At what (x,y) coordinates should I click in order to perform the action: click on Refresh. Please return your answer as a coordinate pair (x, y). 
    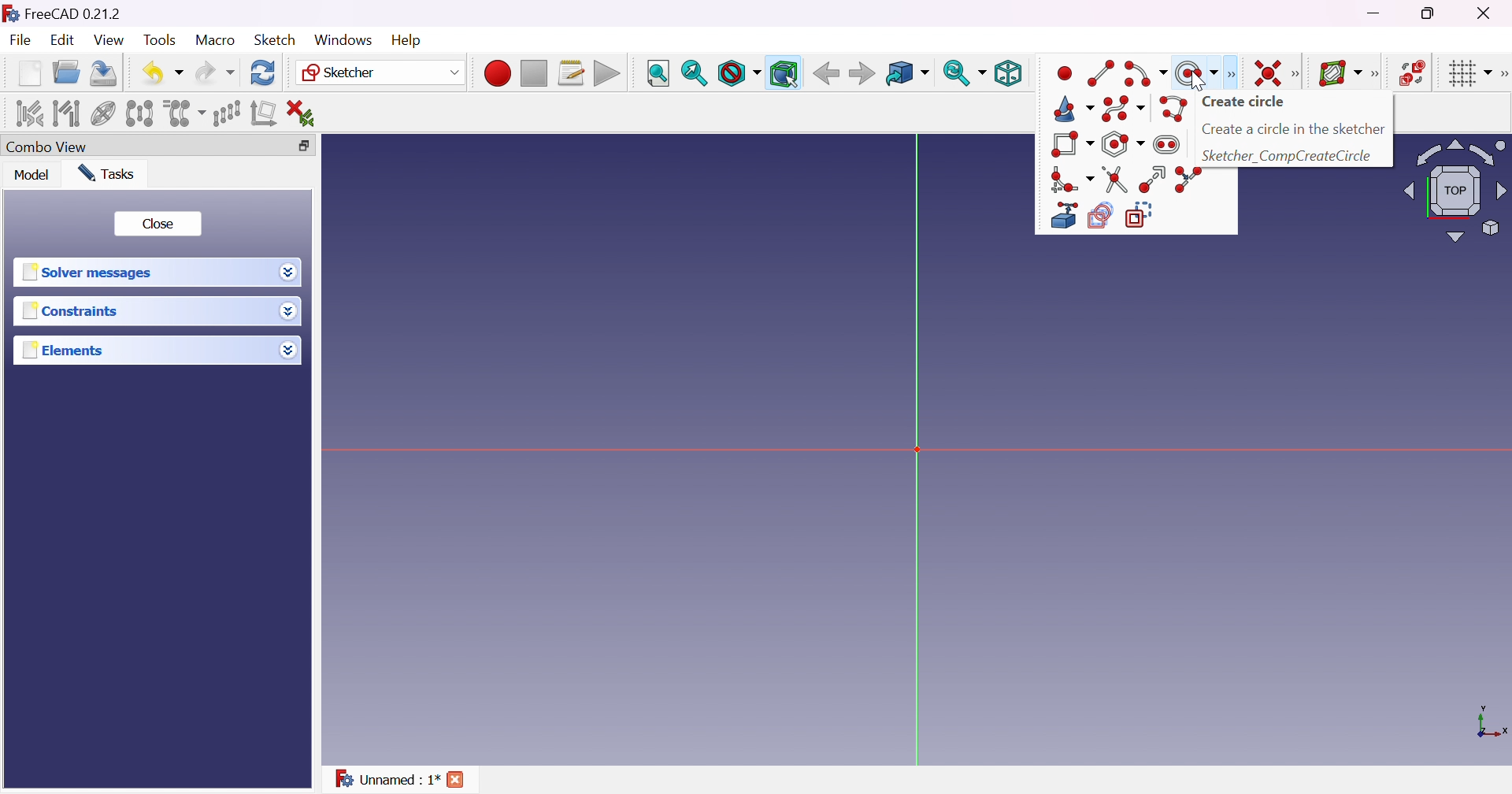
    Looking at the image, I should click on (263, 73).